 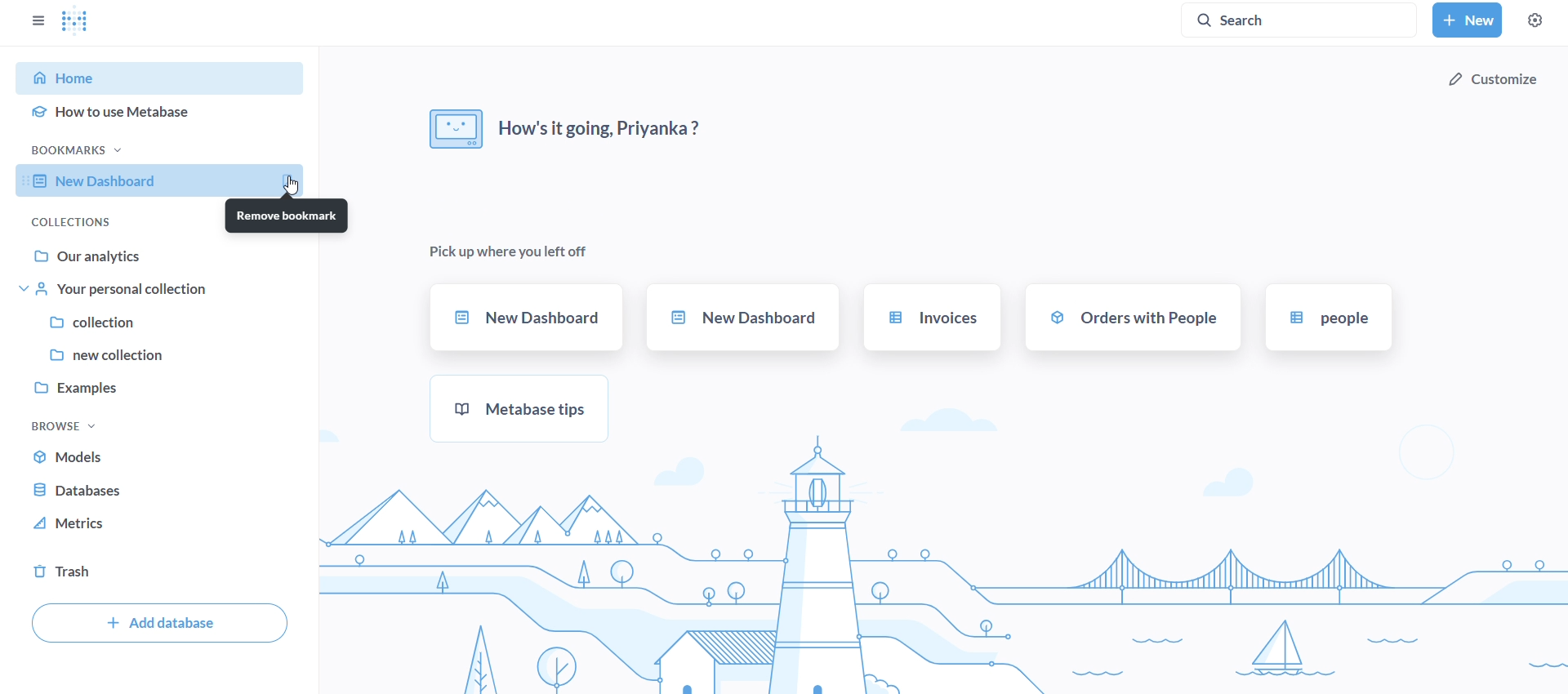 What do you see at coordinates (84, 20) in the screenshot?
I see `logo` at bounding box center [84, 20].